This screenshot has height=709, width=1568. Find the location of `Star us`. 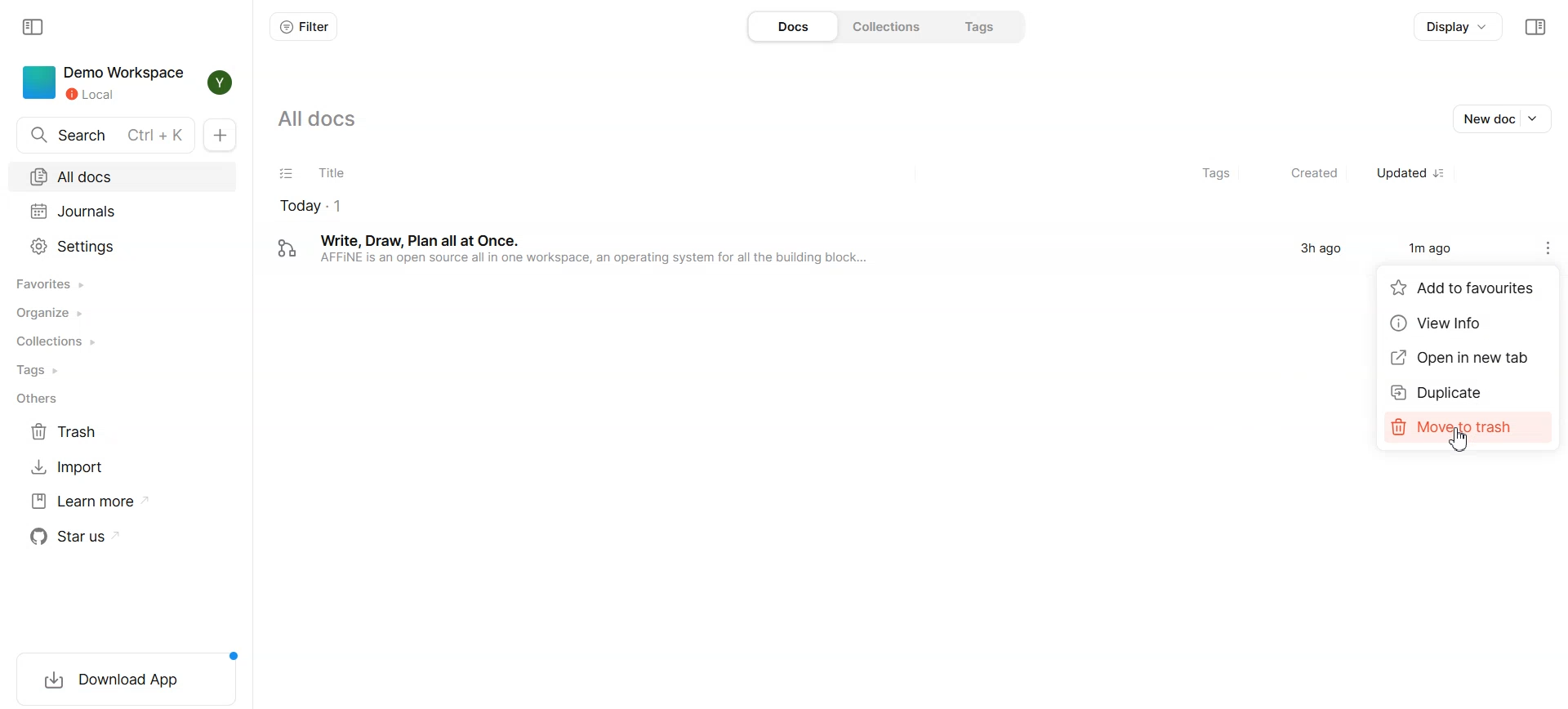

Star us is located at coordinates (109, 537).